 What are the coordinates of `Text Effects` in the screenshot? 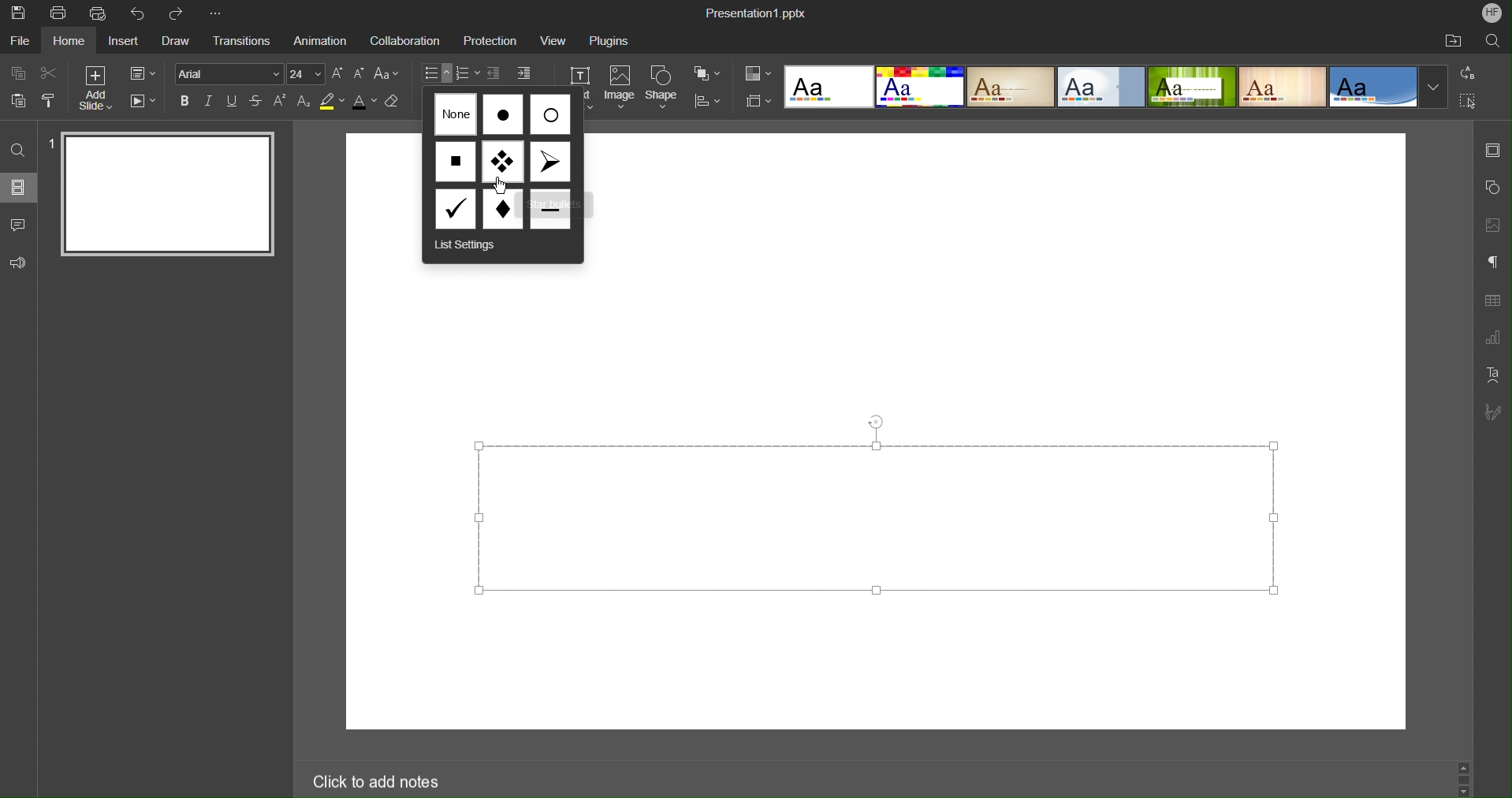 It's located at (220, 101).